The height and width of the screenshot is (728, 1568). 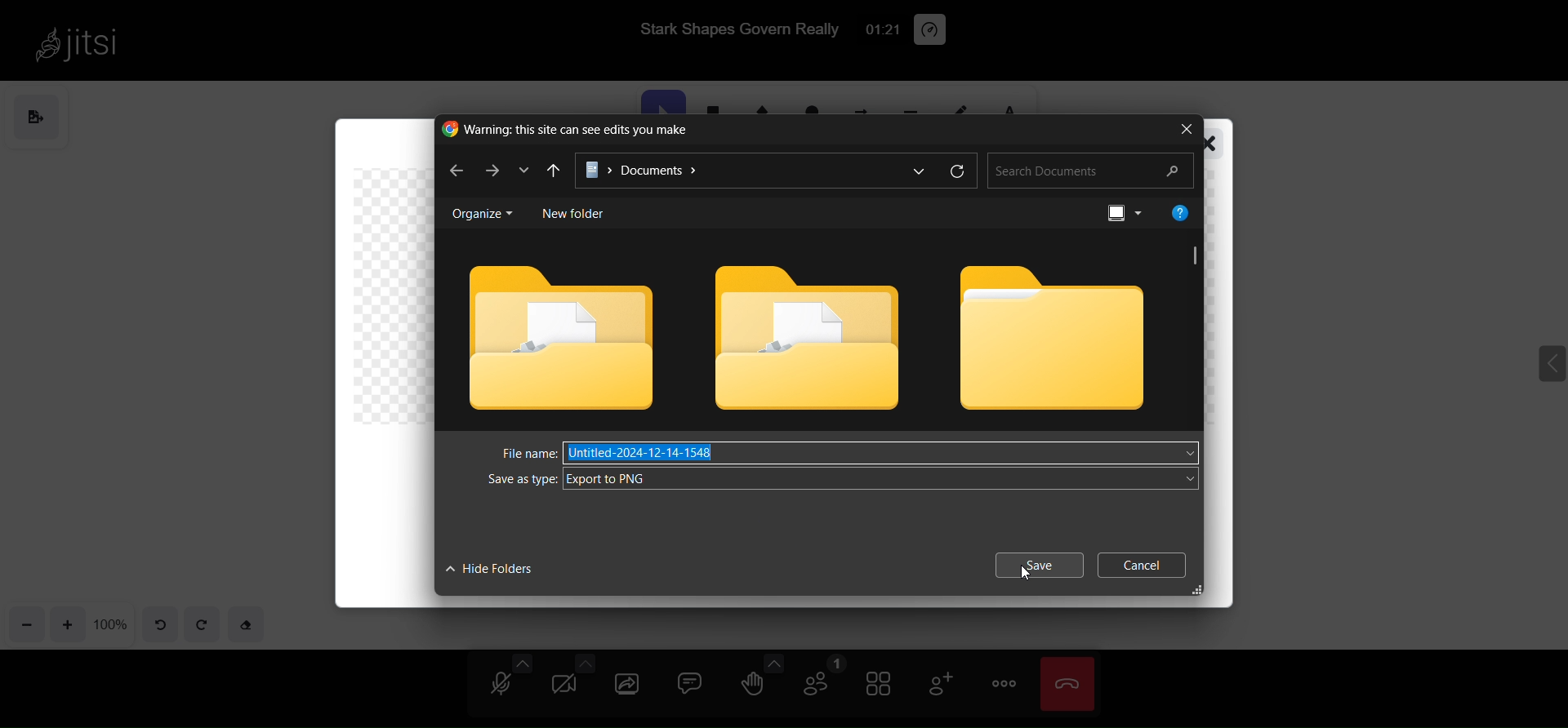 What do you see at coordinates (1092, 171) in the screenshot?
I see `search` at bounding box center [1092, 171].